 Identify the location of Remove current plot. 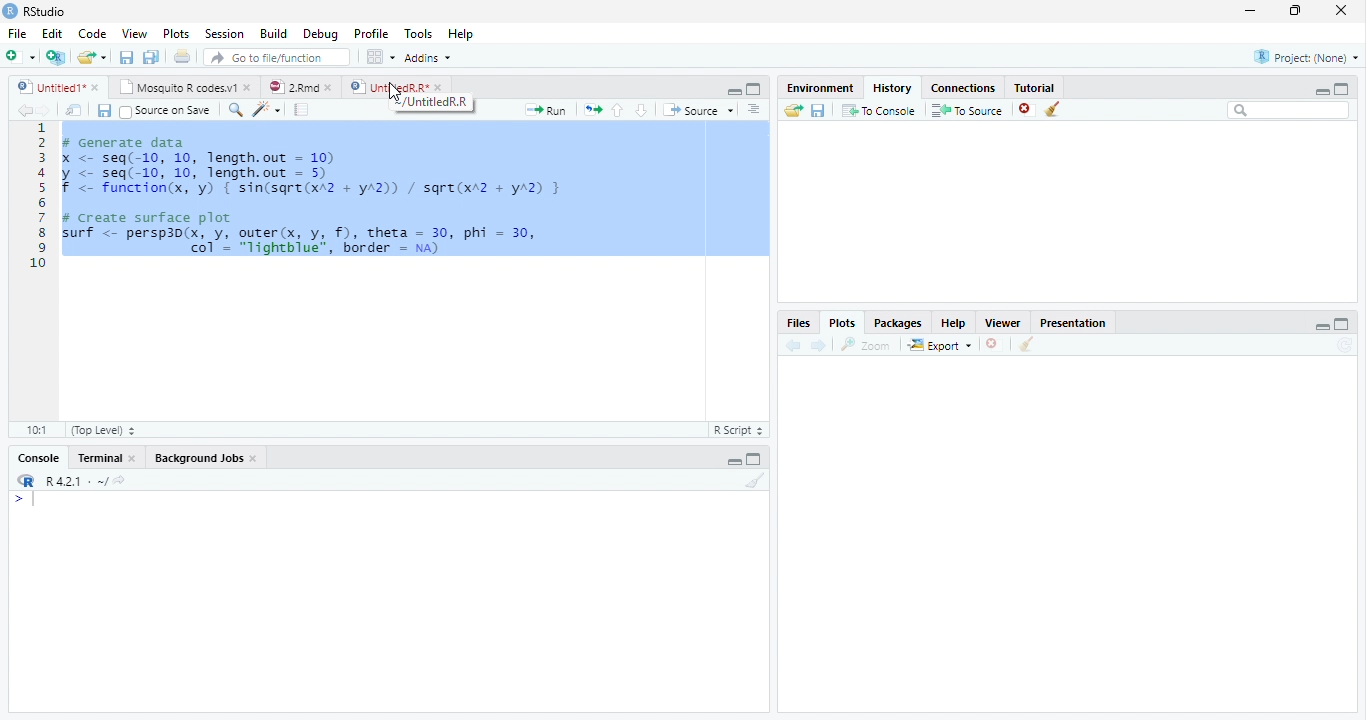
(996, 344).